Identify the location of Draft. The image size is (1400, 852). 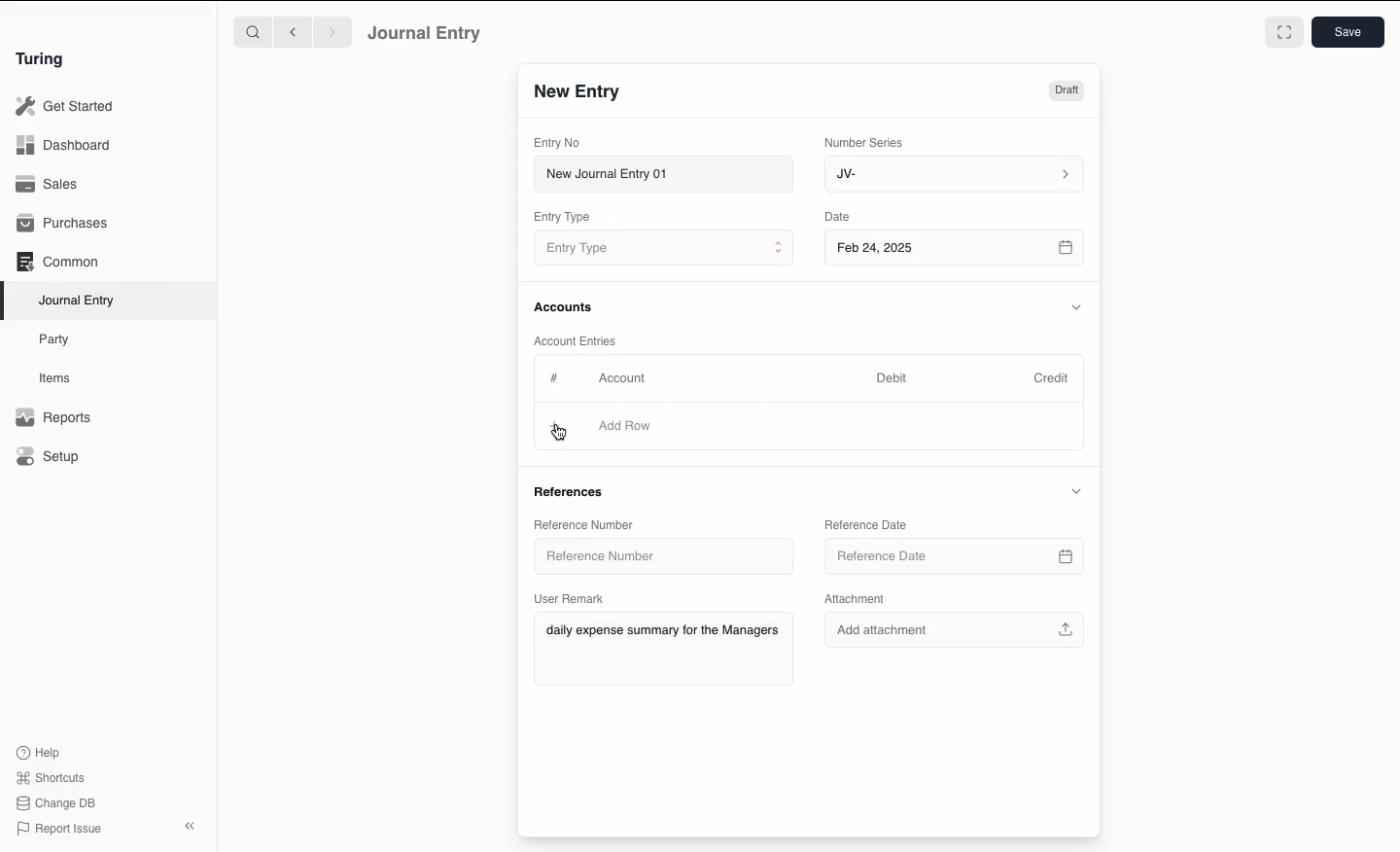
(1067, 90).